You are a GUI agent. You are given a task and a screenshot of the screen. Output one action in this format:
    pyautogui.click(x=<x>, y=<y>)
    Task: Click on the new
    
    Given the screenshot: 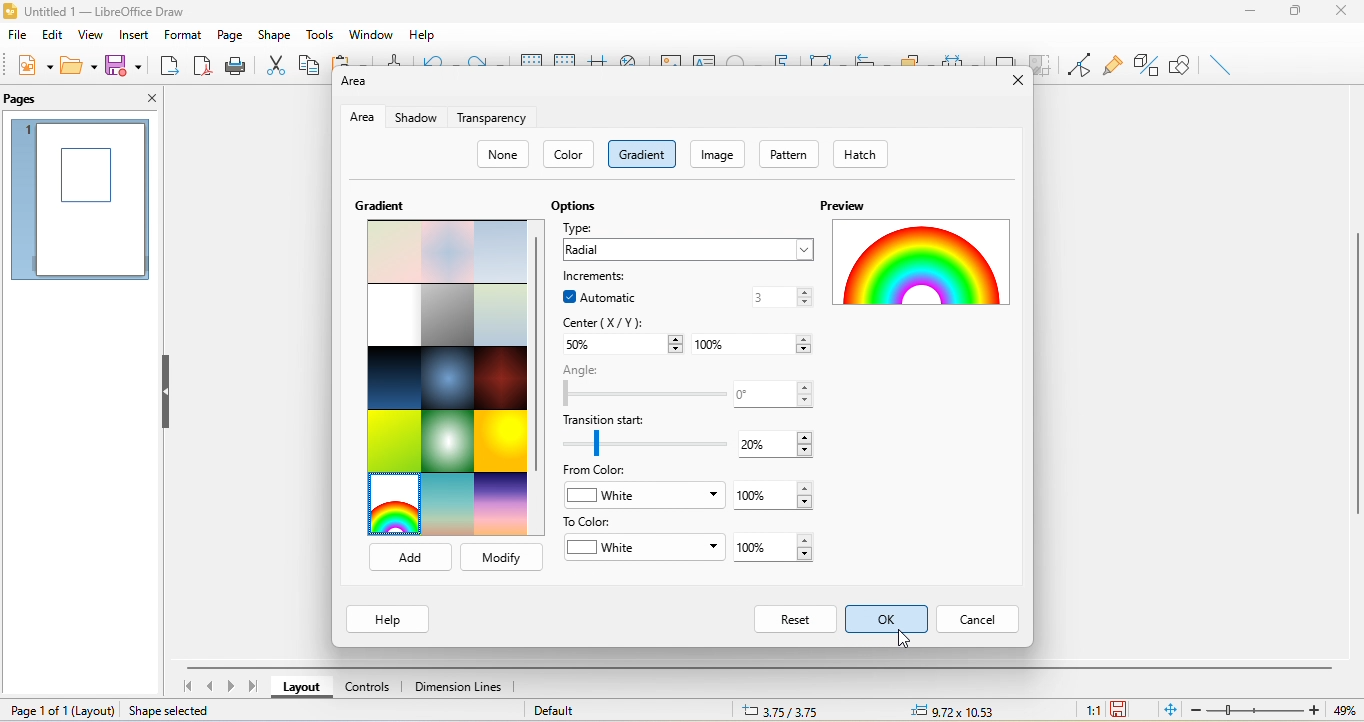 What is the action you would take?
    pyautogui.click(x=31, y=65)
    